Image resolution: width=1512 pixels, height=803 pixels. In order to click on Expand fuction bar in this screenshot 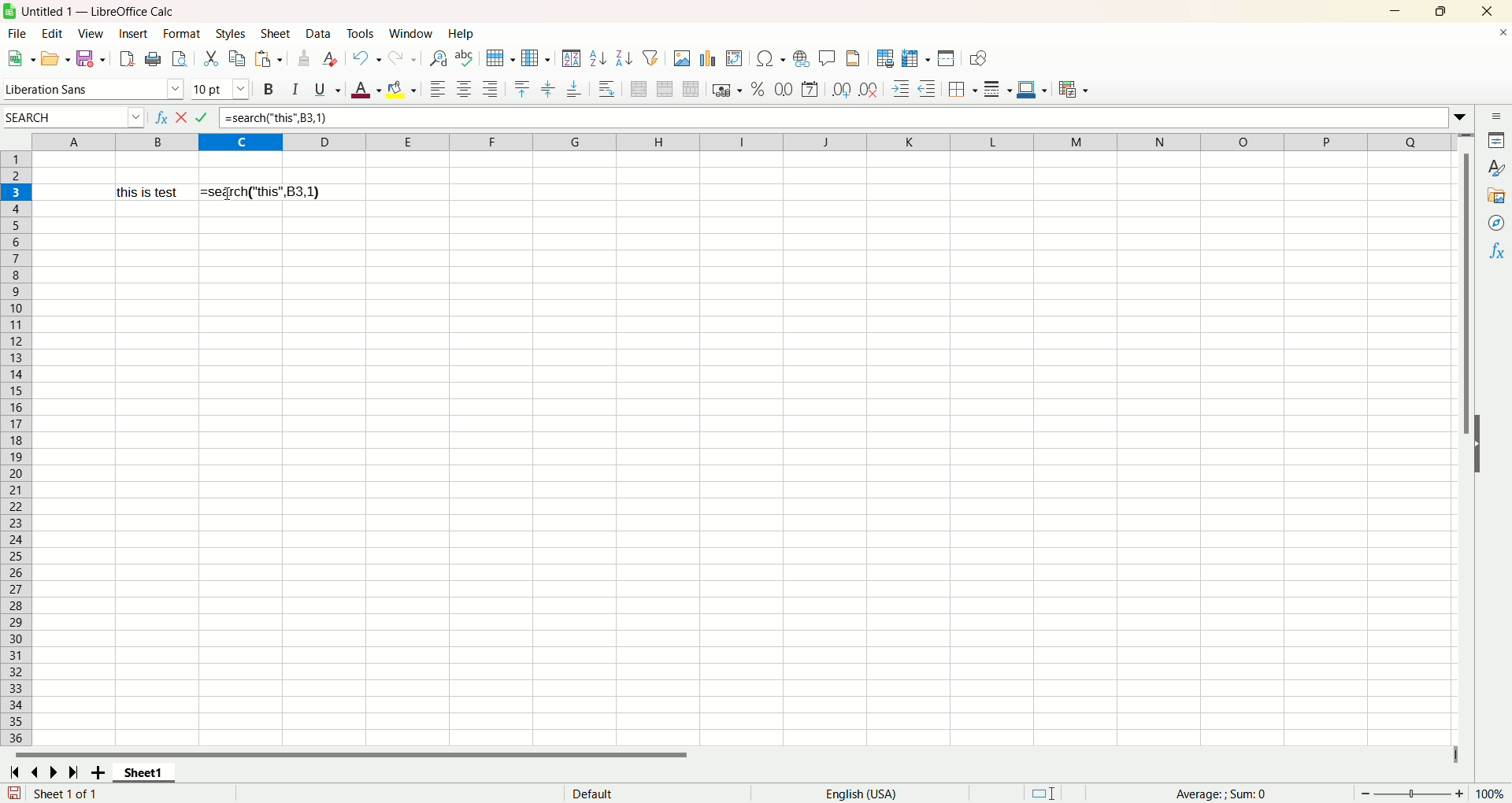, I will do `click(1462, 120)`.